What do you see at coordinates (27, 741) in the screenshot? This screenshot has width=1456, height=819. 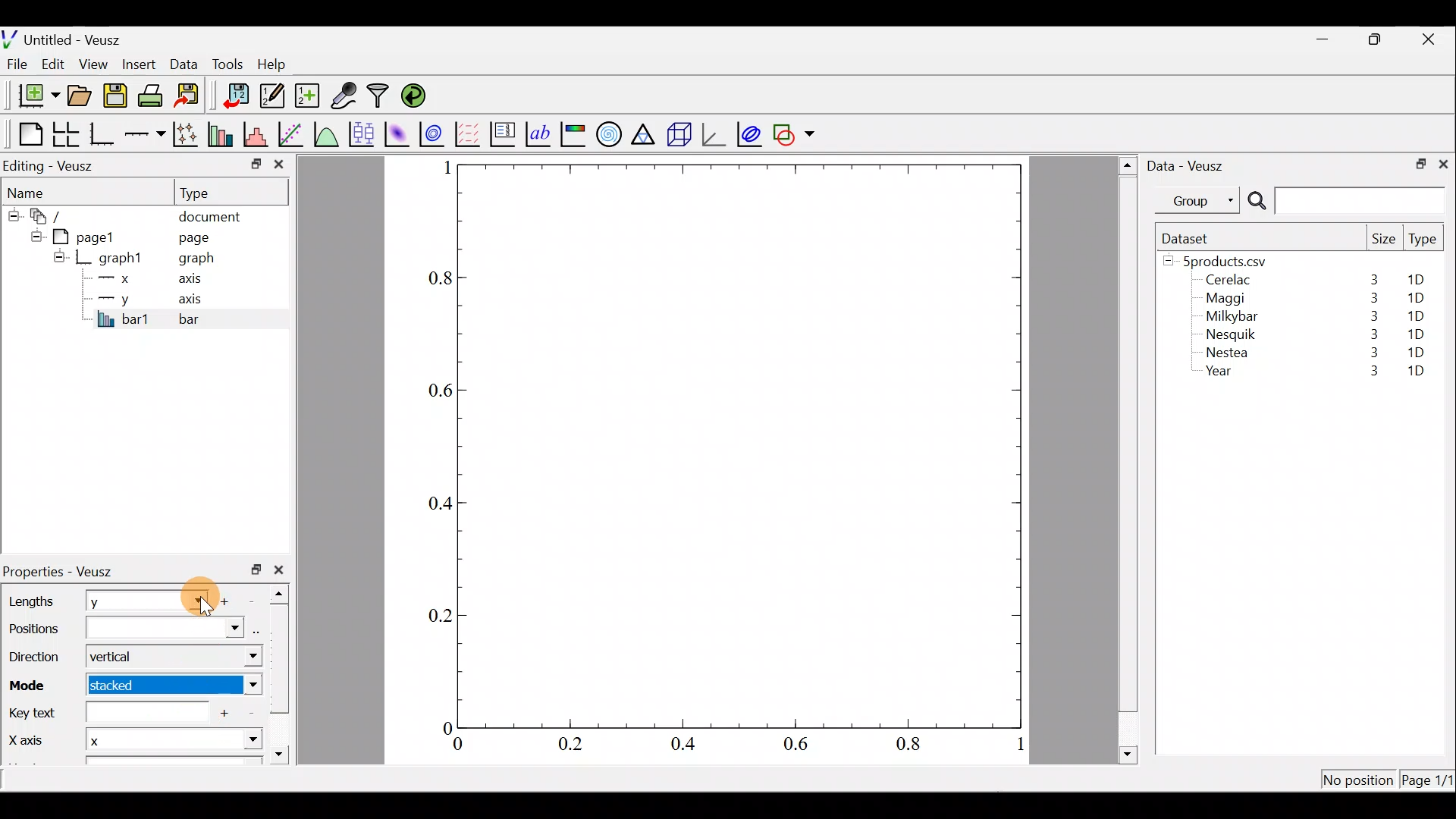 I see `X axis` at bounding box center [27, 741].